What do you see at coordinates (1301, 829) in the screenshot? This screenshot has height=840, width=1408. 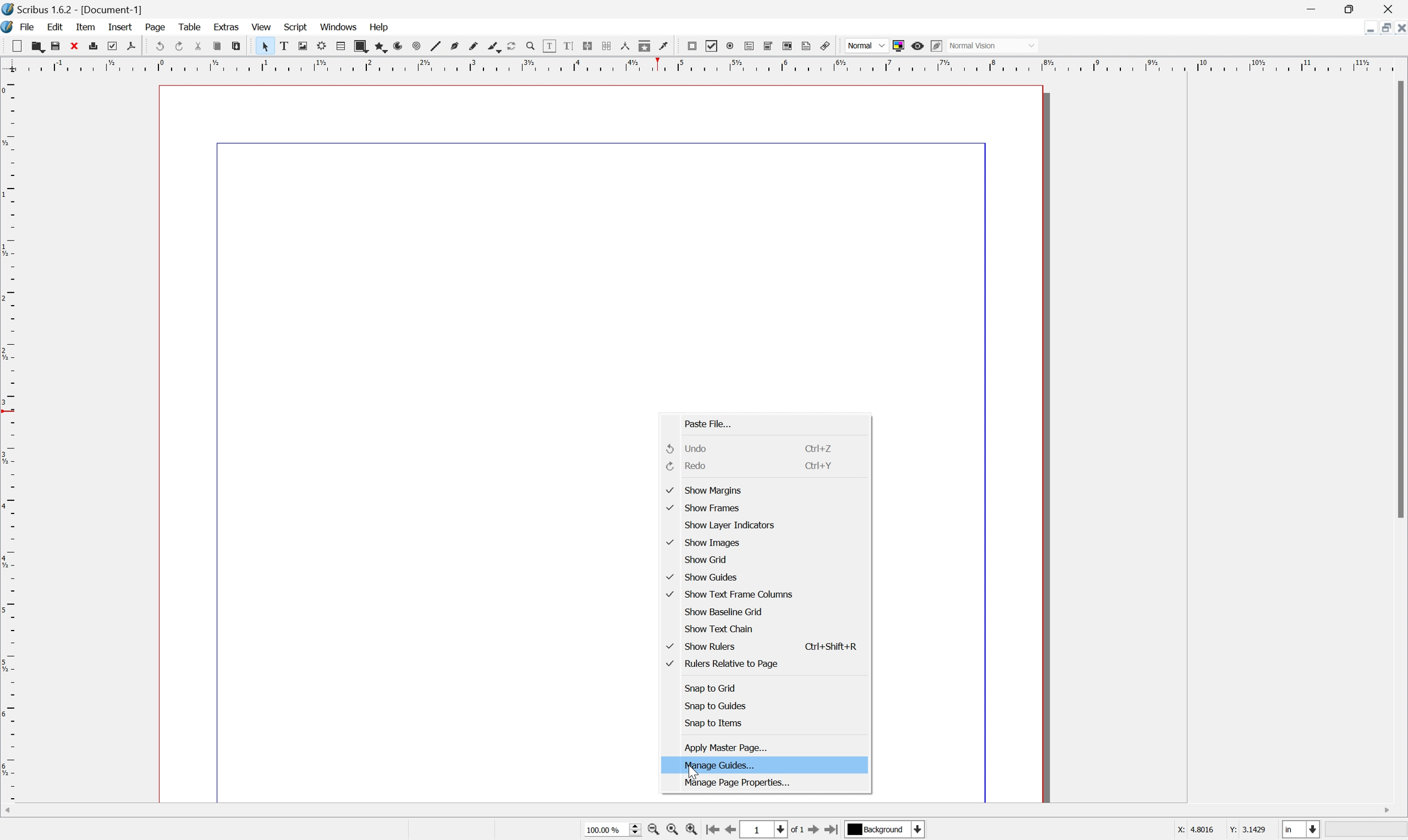 I see `select current unit` at bounding box center [1301, 829].